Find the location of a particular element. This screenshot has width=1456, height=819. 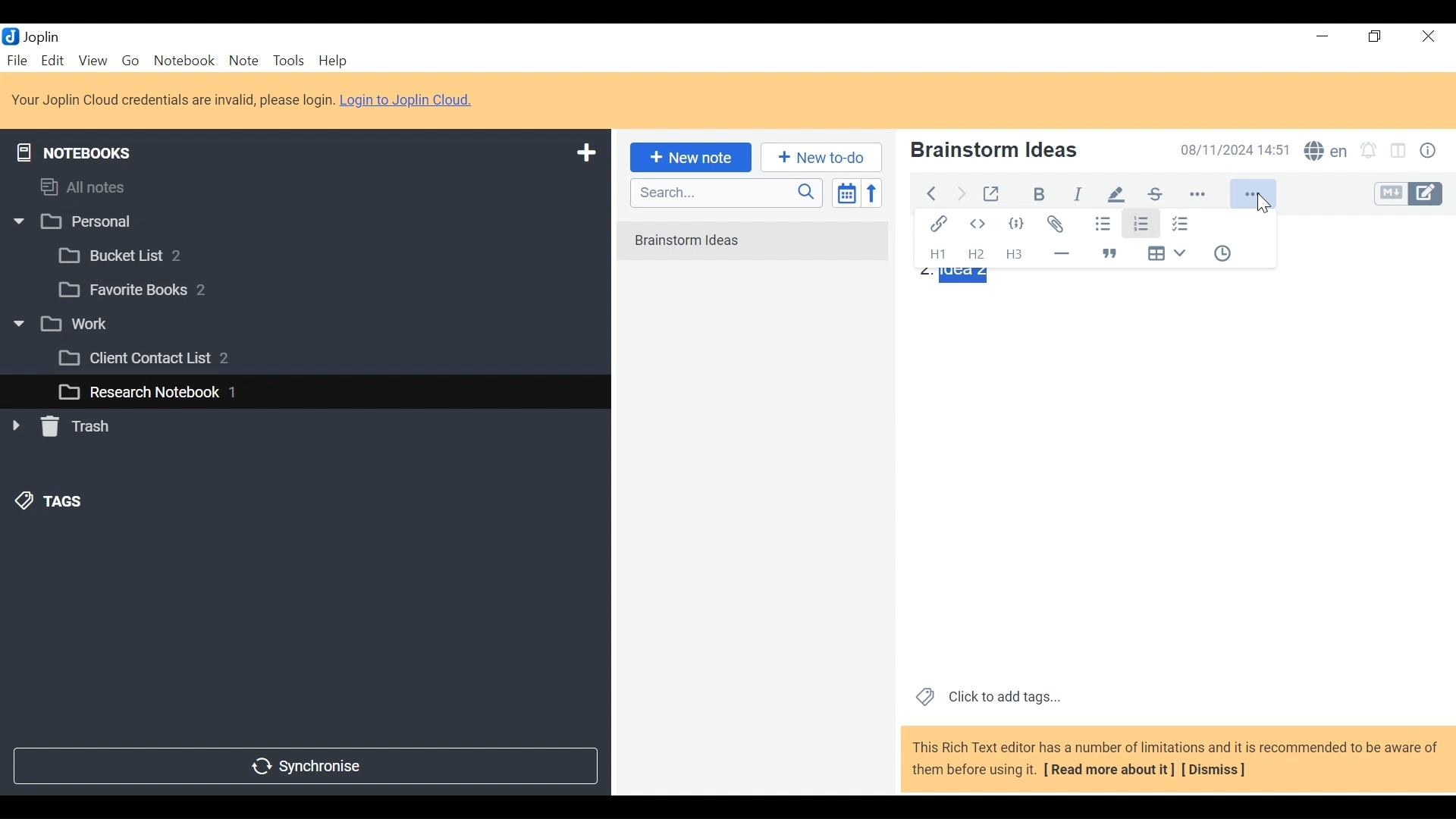

All notes is located at coordinates (97, 184).